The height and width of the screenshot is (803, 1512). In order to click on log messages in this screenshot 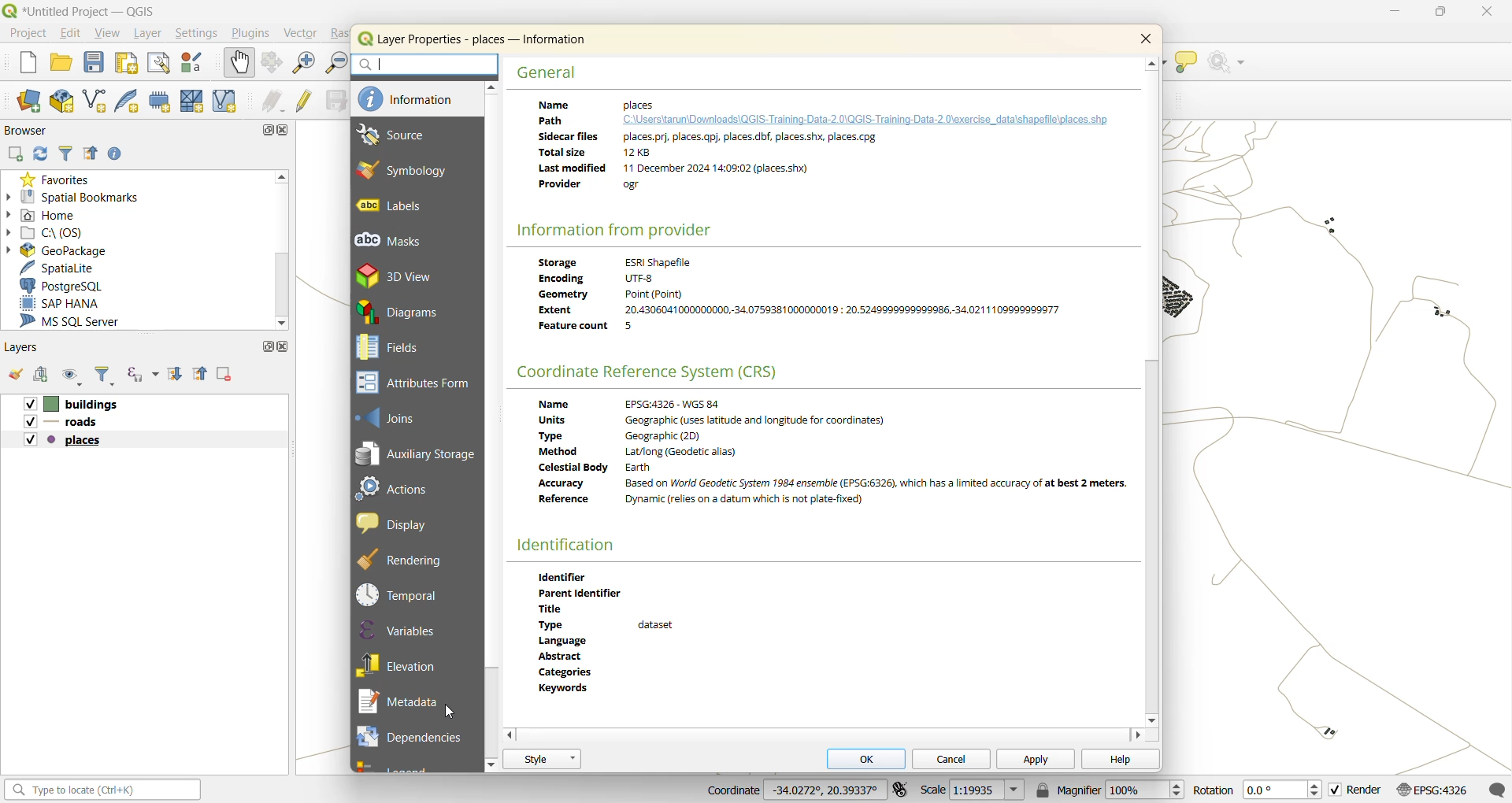, I will do `click(1496, 787)`.